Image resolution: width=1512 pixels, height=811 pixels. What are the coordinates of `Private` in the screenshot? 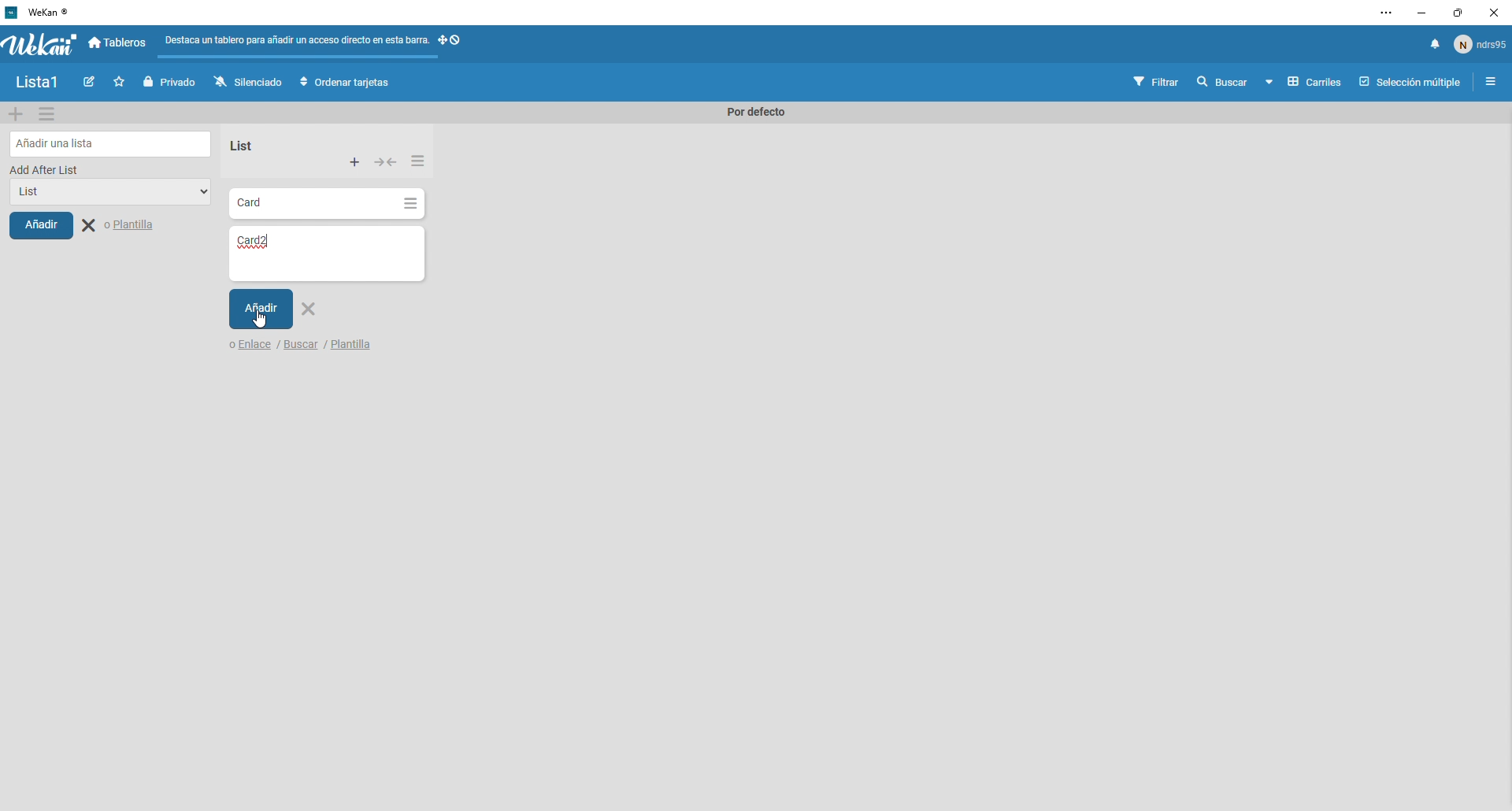 It's located at (172, 82).